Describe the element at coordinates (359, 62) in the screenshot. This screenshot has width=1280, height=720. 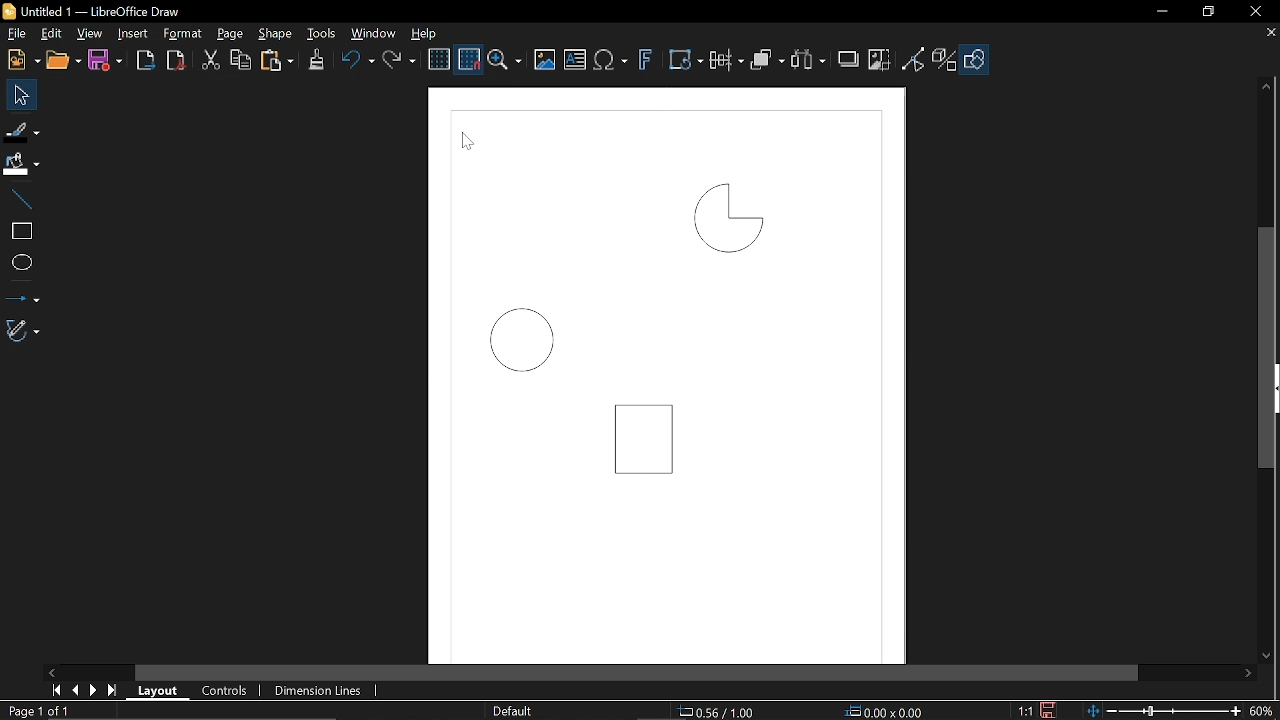
I see `undo` at that location.